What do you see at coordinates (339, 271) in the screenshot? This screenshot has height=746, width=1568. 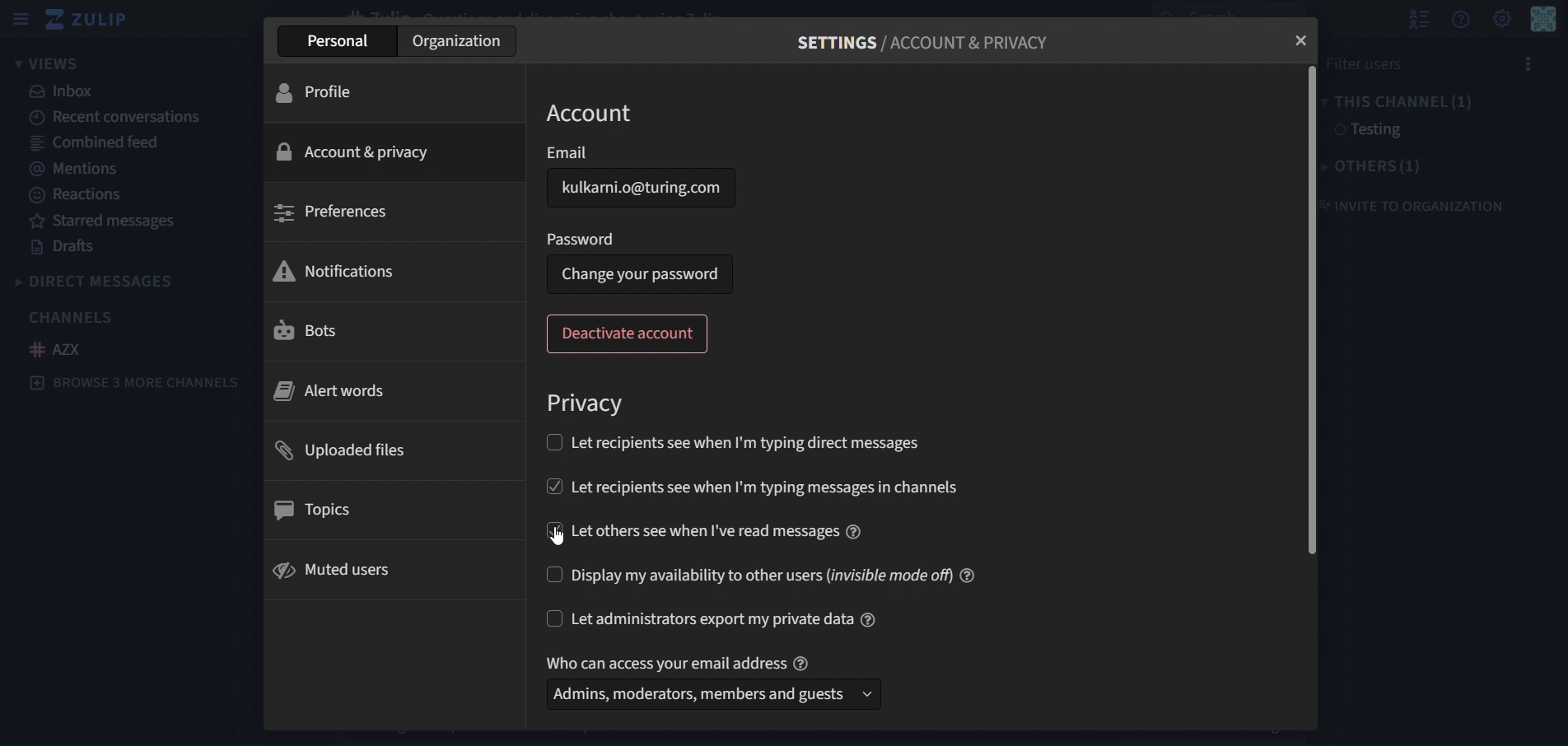 I see `notifications` at bounding box center [339, 271].